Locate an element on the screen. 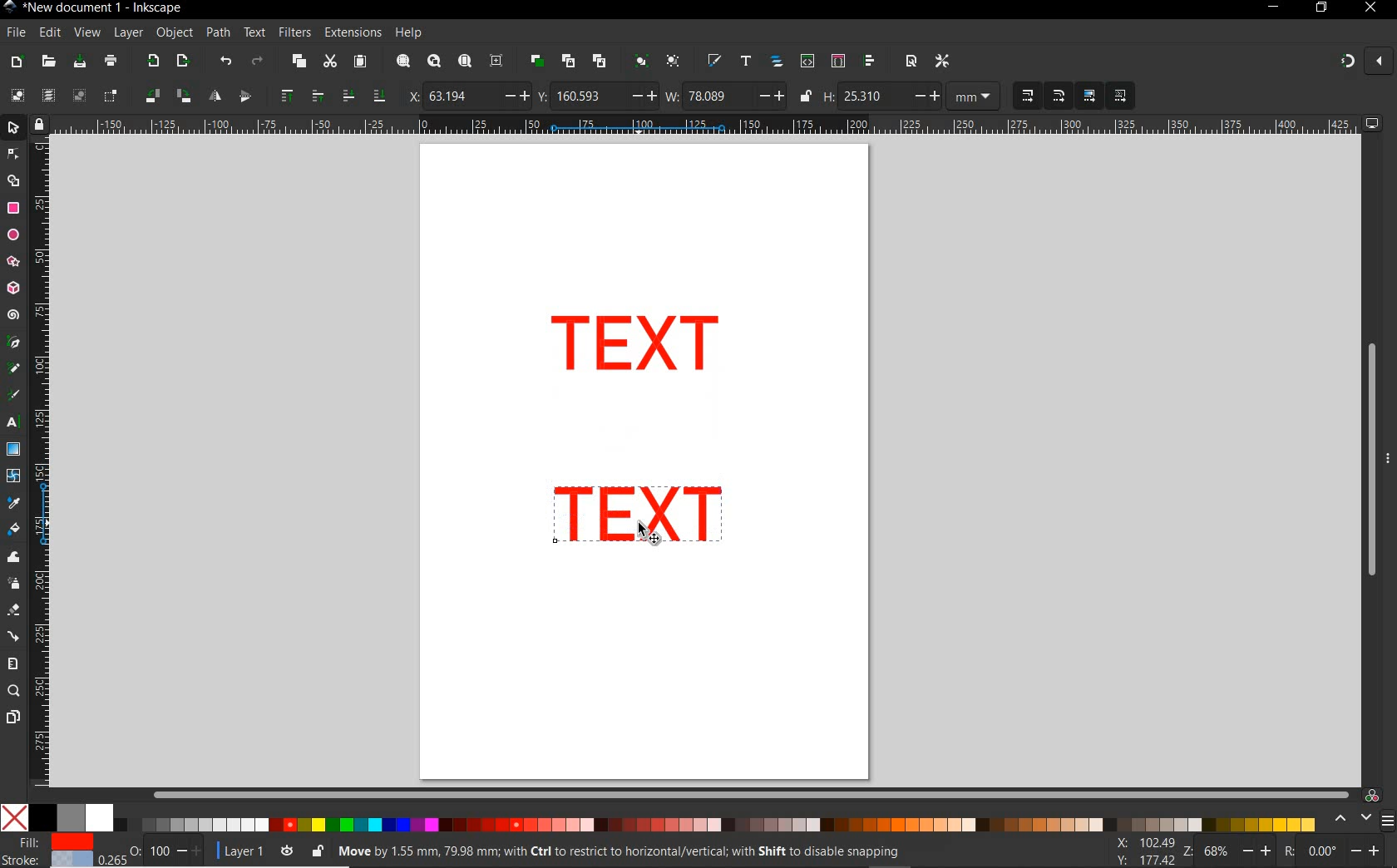 This screenshot has height=868, width=1397. scrollbar is located at coordinates (1370, 460).